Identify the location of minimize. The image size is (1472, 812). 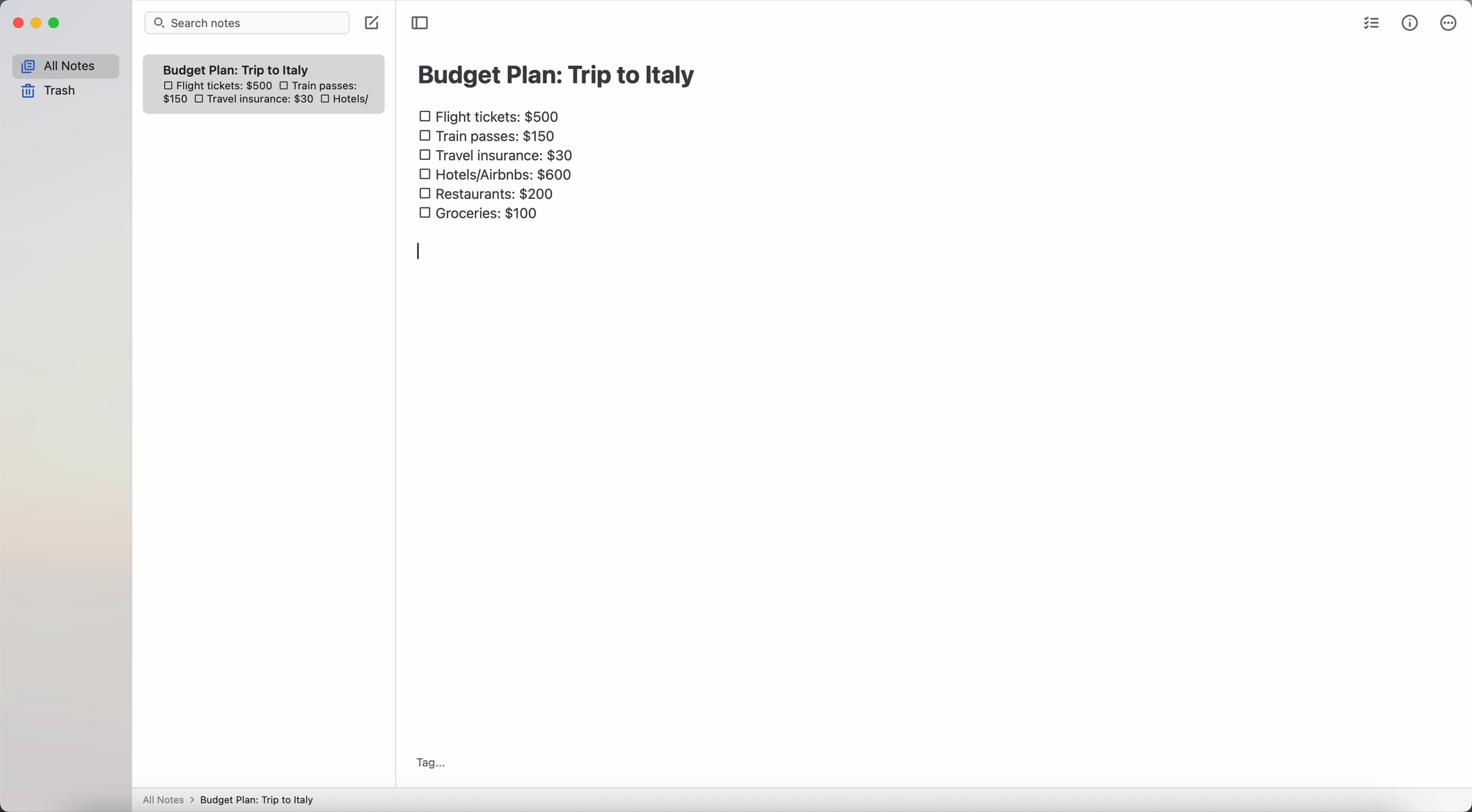
(39, 23).